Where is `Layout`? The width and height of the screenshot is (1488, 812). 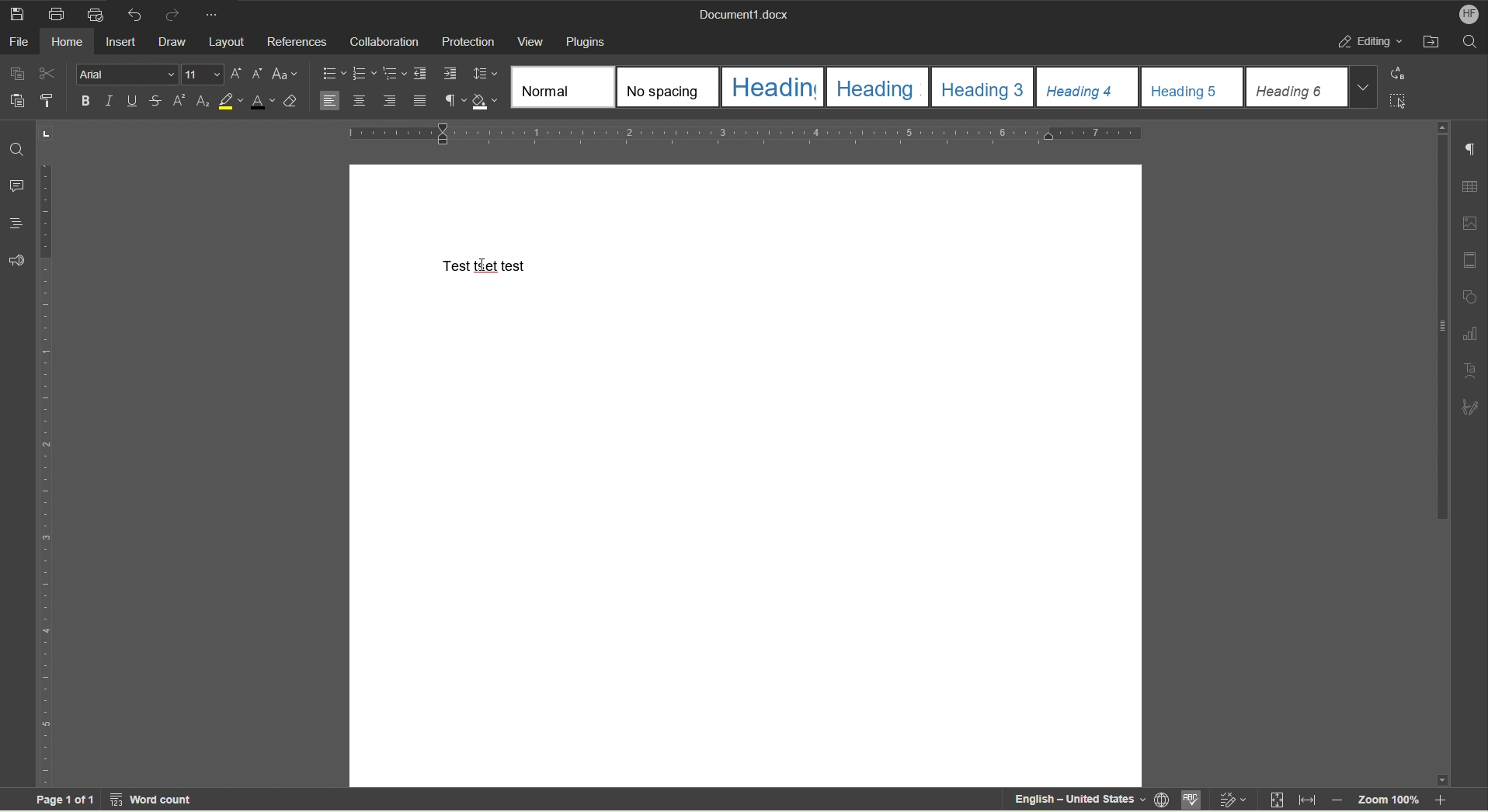
Layout is located at coordinates (228, 42).